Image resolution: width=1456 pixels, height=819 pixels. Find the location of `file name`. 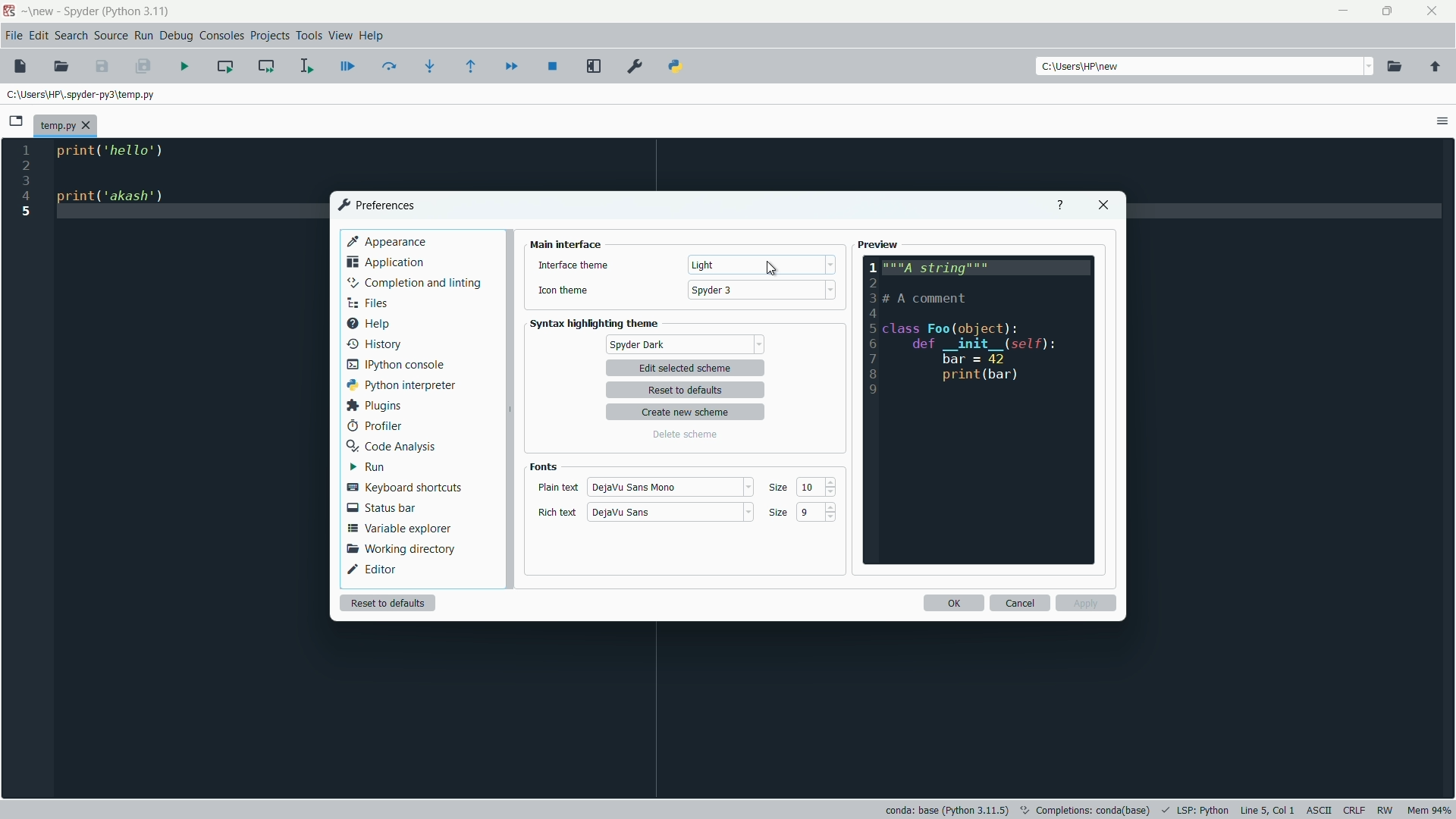

file name is located at coordinates (64, 127).